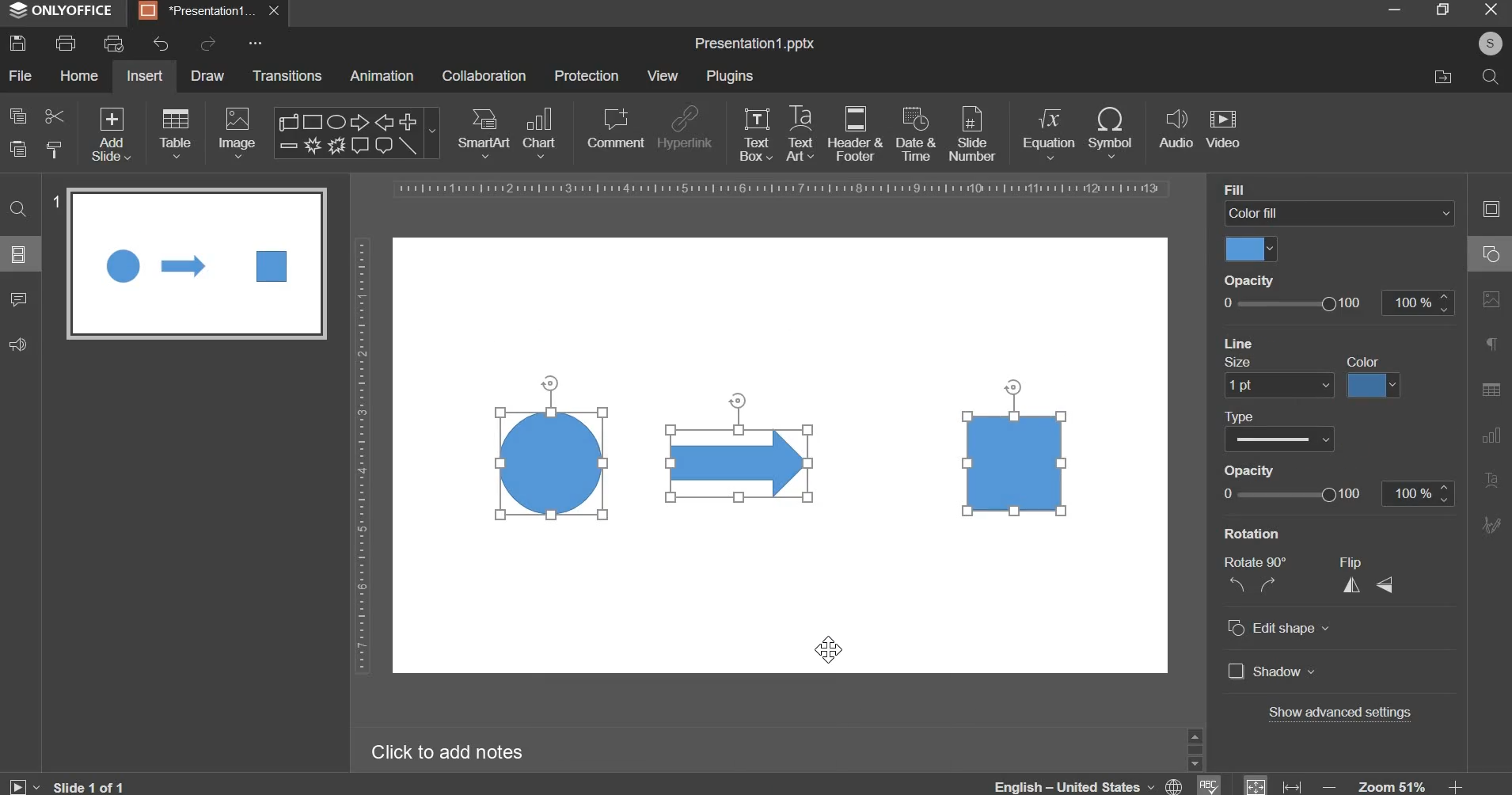 The height and width of the screenshot is (795, 1512). What do you see at coordinates (1393, 9) in the screenshot?
I see `minimize` at bounding box center [1393, 9].